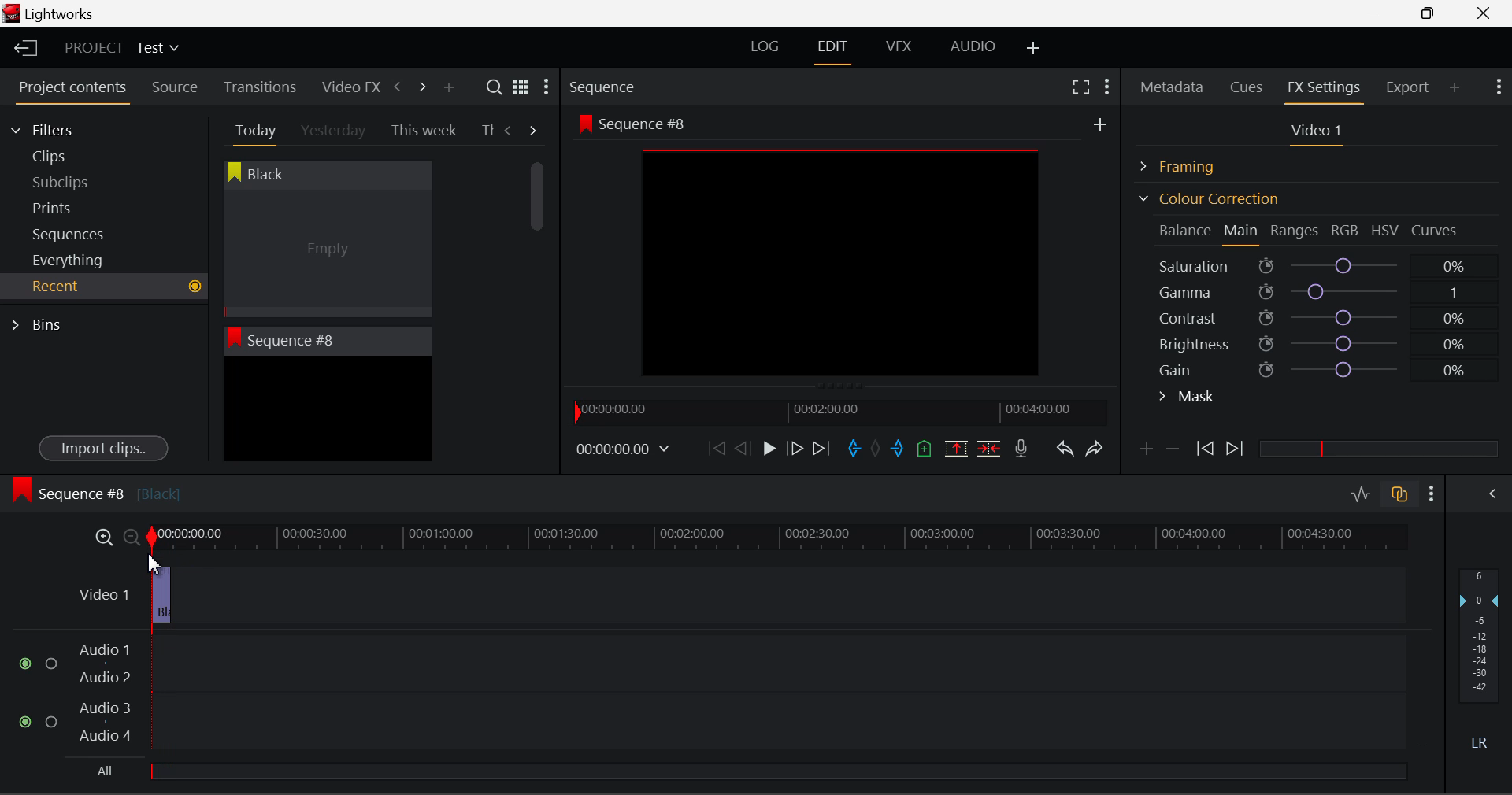 The height and width of the screenshot is (795, 1512). Describe the element at coordinates (1325, 89) in the screenshot. I see `FX Settings Panel Open` at that location.